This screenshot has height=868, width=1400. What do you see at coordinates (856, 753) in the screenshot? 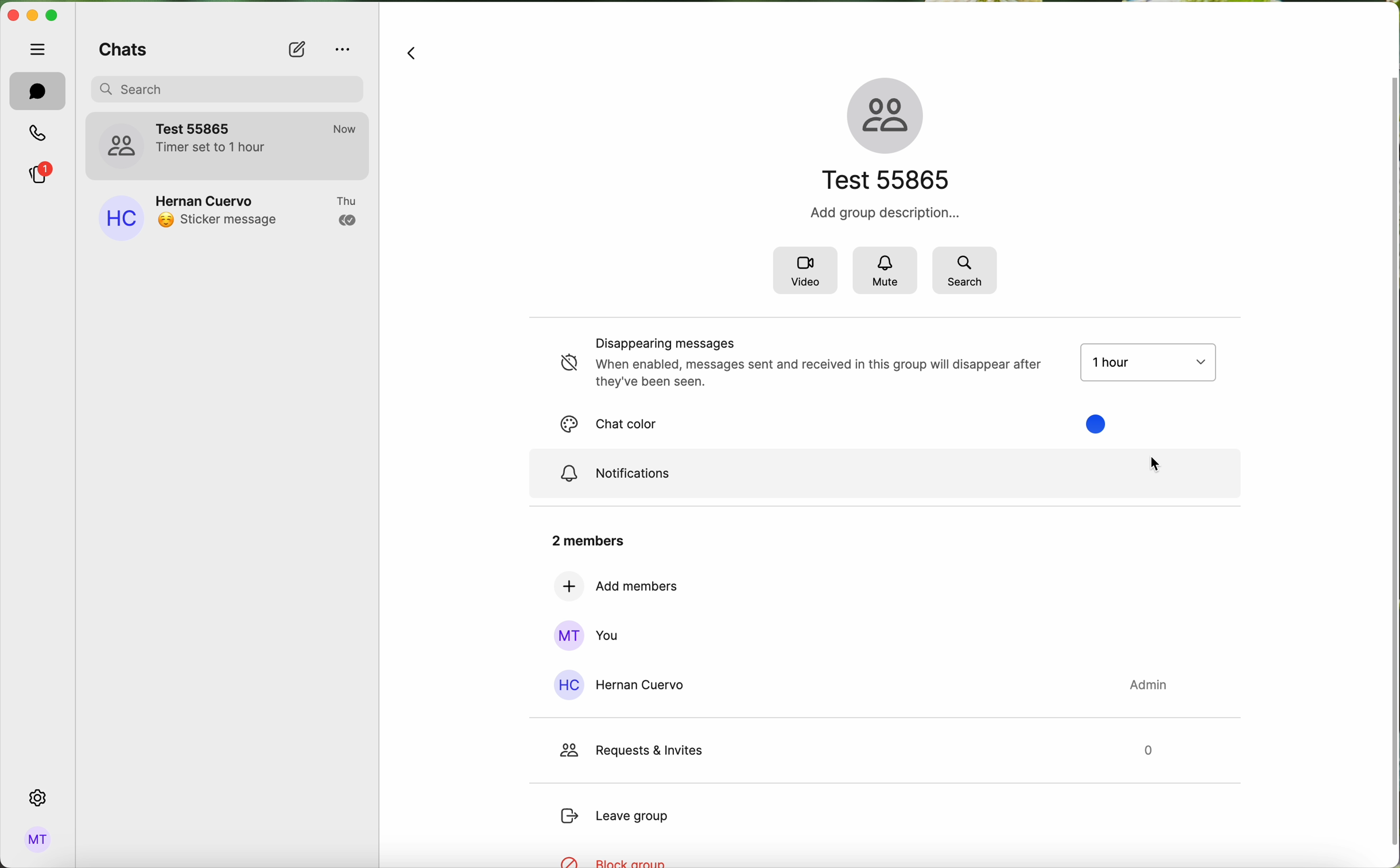
I see `request & invites` at bounding box center [856, 753].